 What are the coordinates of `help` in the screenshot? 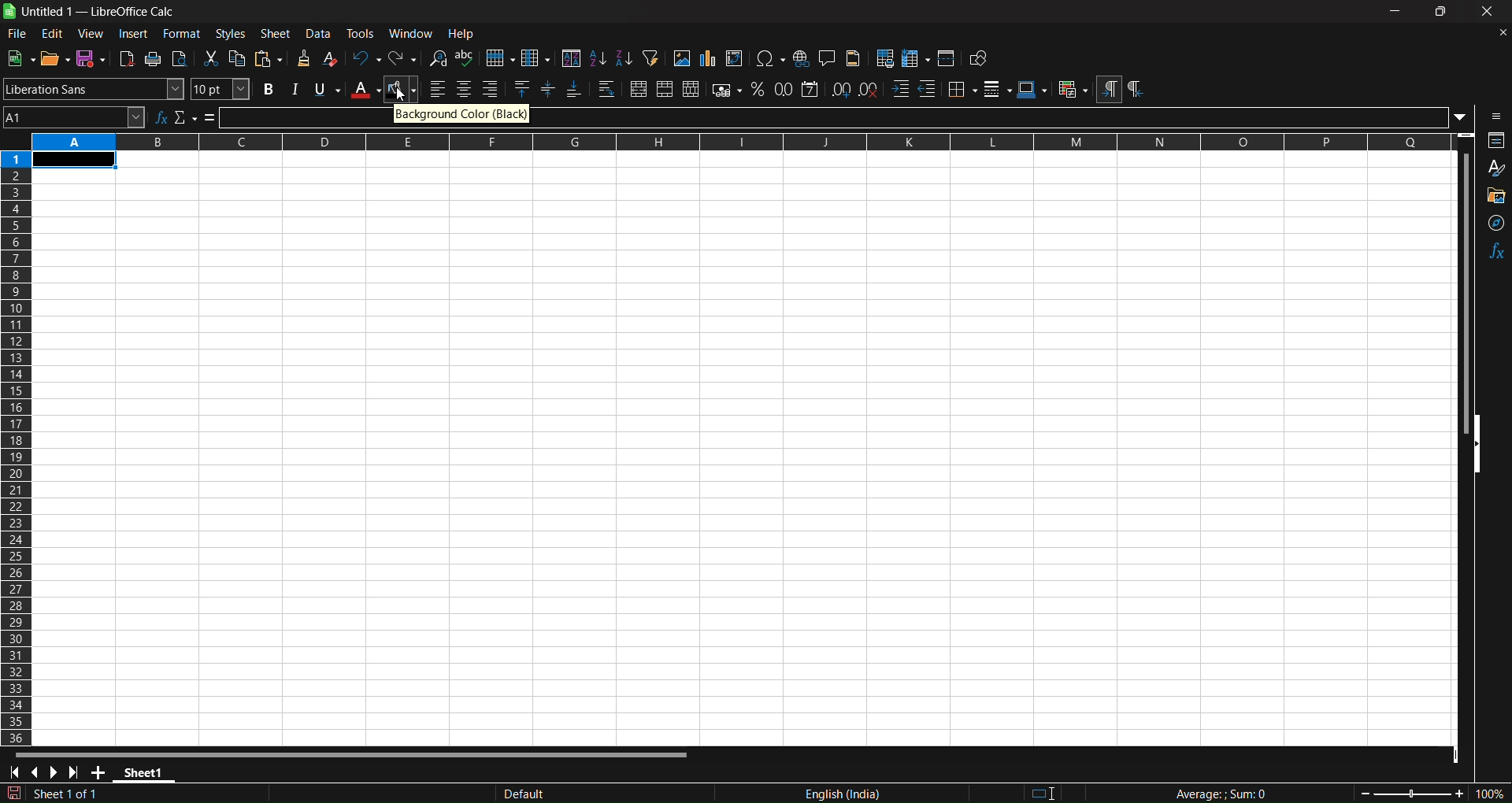 It's located at (462, 34).